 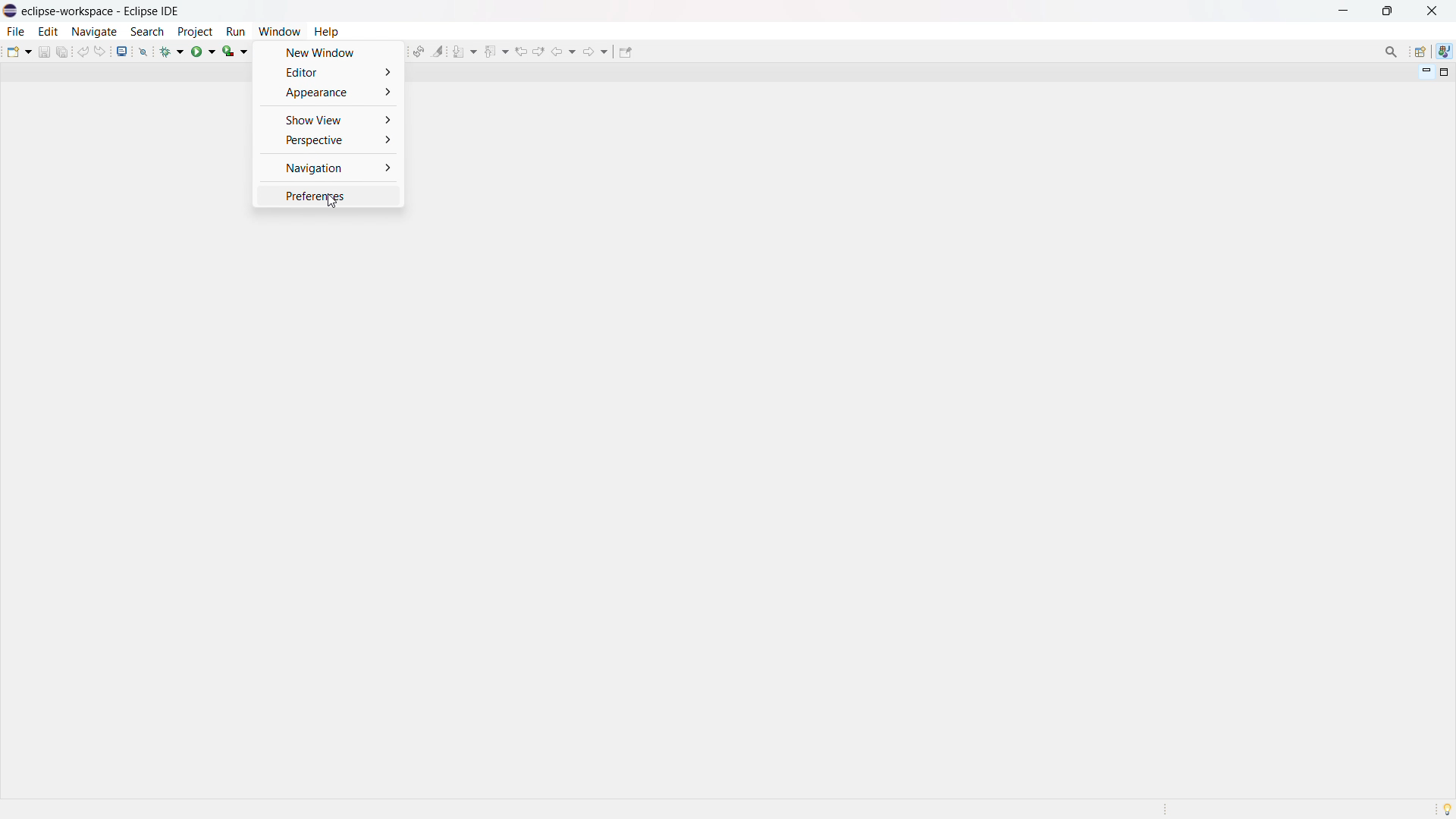 I want to click on appearance, so click(x=329, y=92).